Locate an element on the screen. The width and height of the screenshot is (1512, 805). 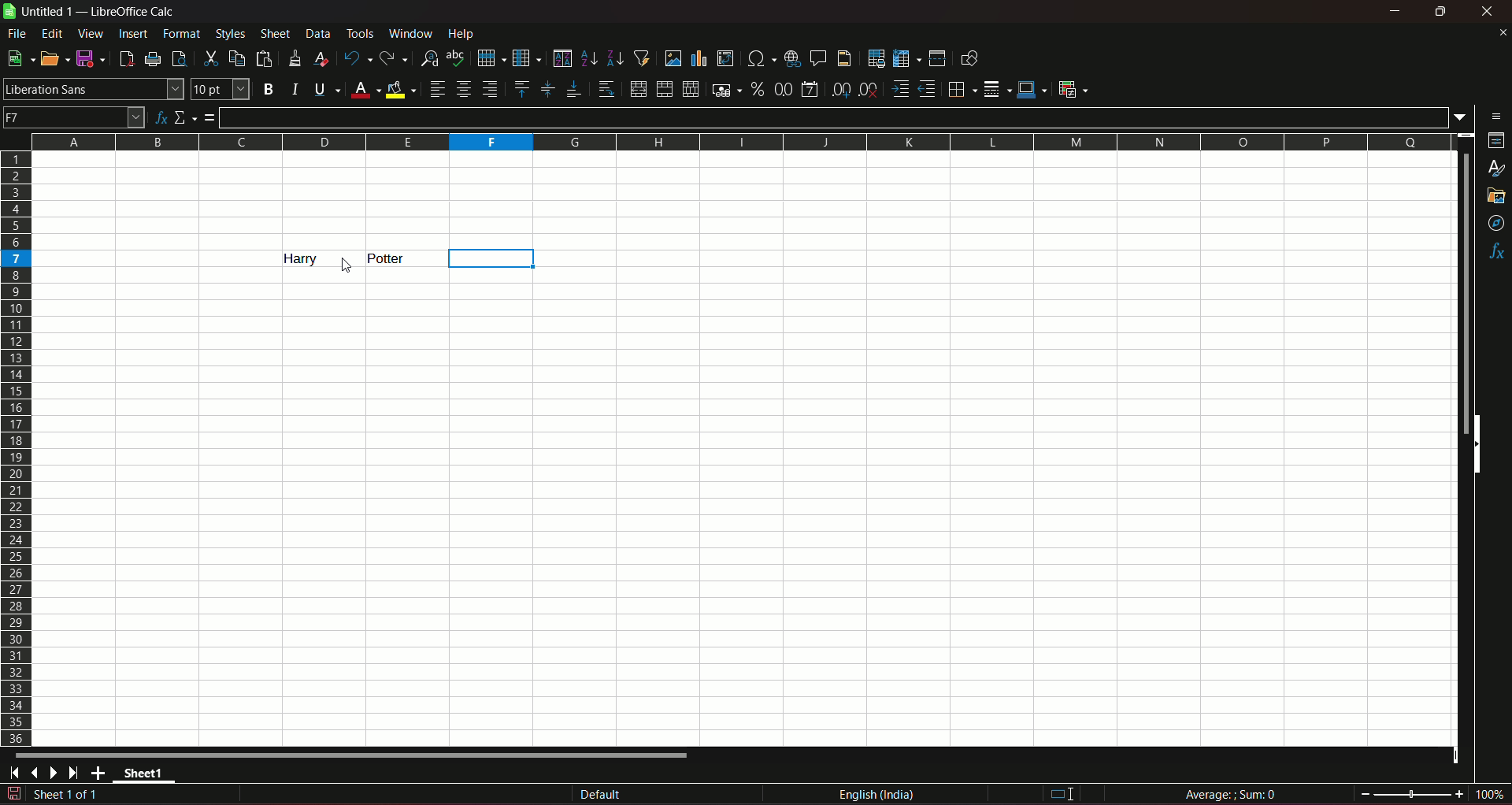
align top is located at coordinates (521, 88).